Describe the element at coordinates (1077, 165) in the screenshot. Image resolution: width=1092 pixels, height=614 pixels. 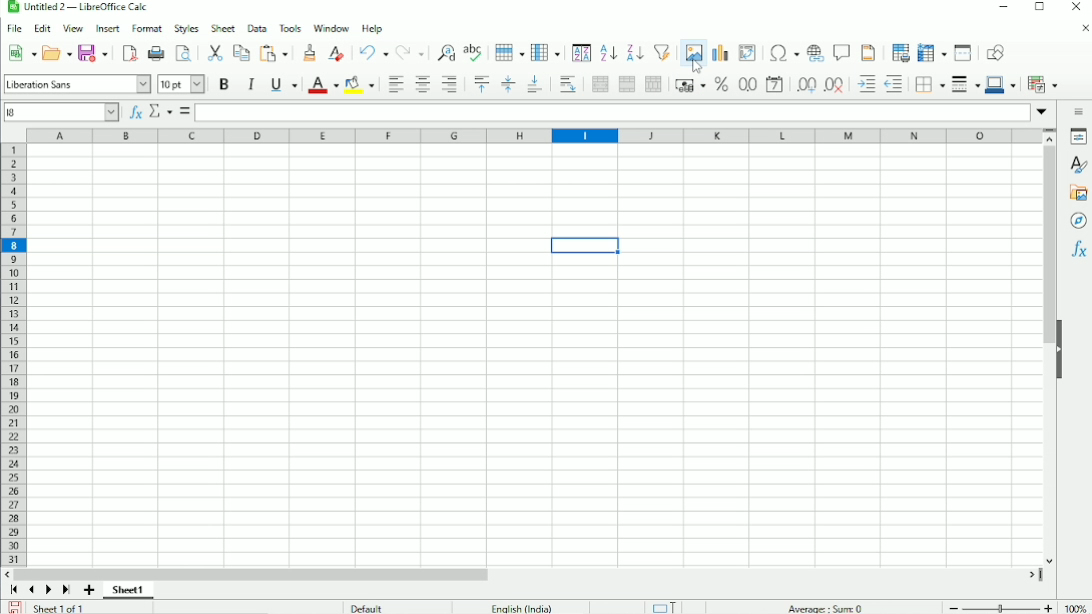
I see `Styles` at that location.